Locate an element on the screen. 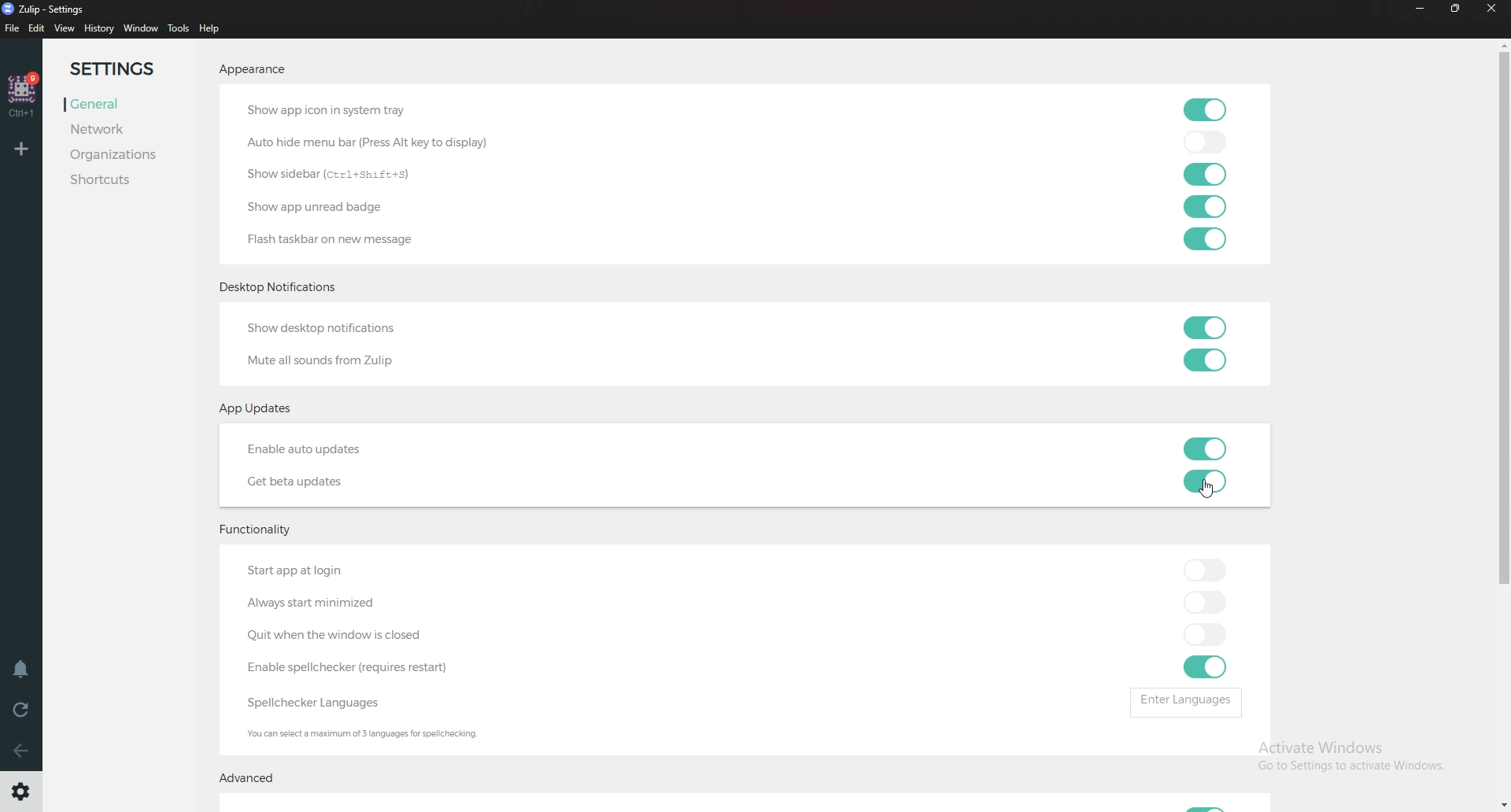 Image resolution: width=1511 pixels, height=812 pixels. Close is located at coordinates (1496, 12).